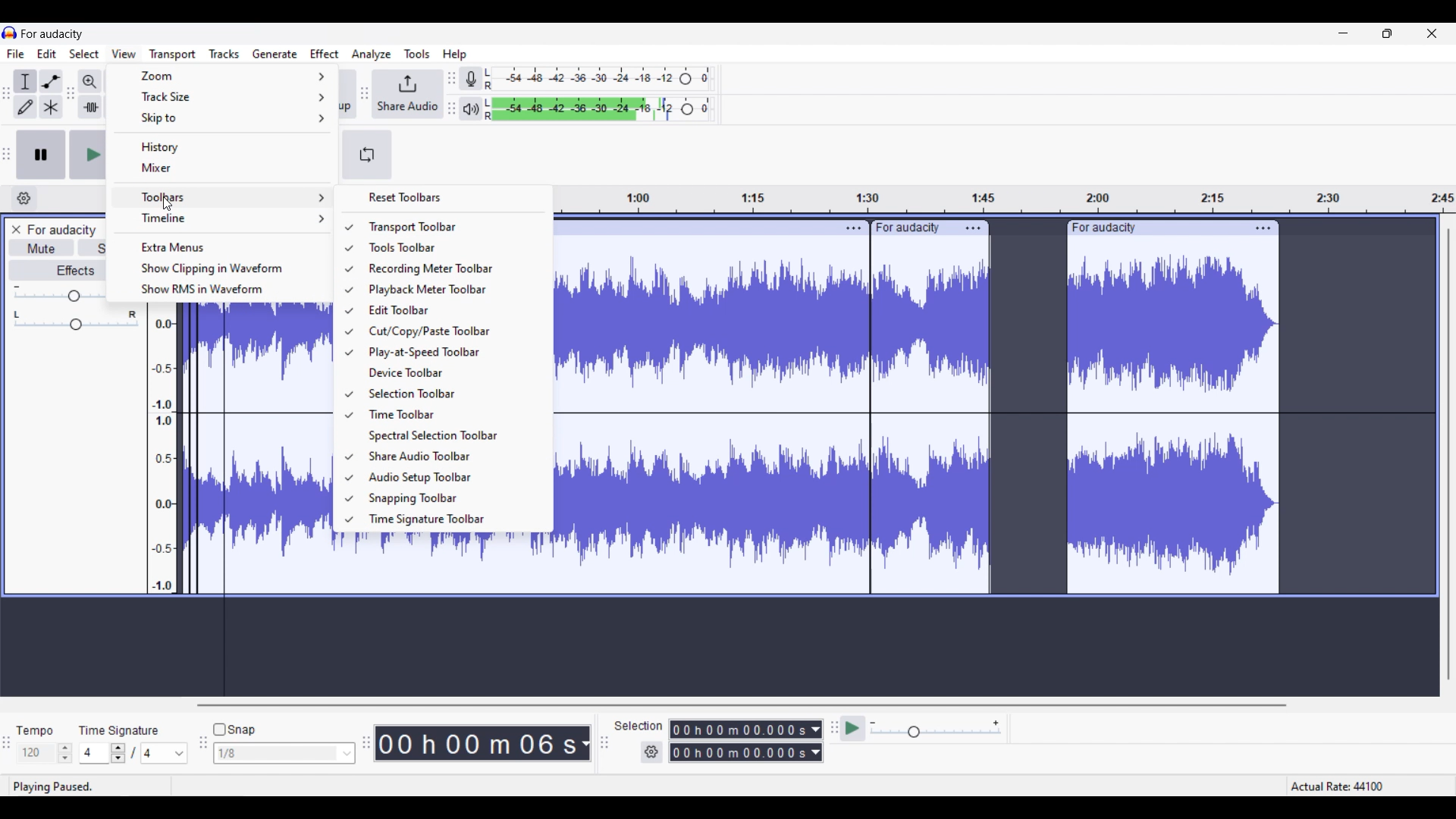 The image size is (1456, 819). Describe the element at coordinates (76, 320) in the screenshot. I see `Pan slider` at that location.